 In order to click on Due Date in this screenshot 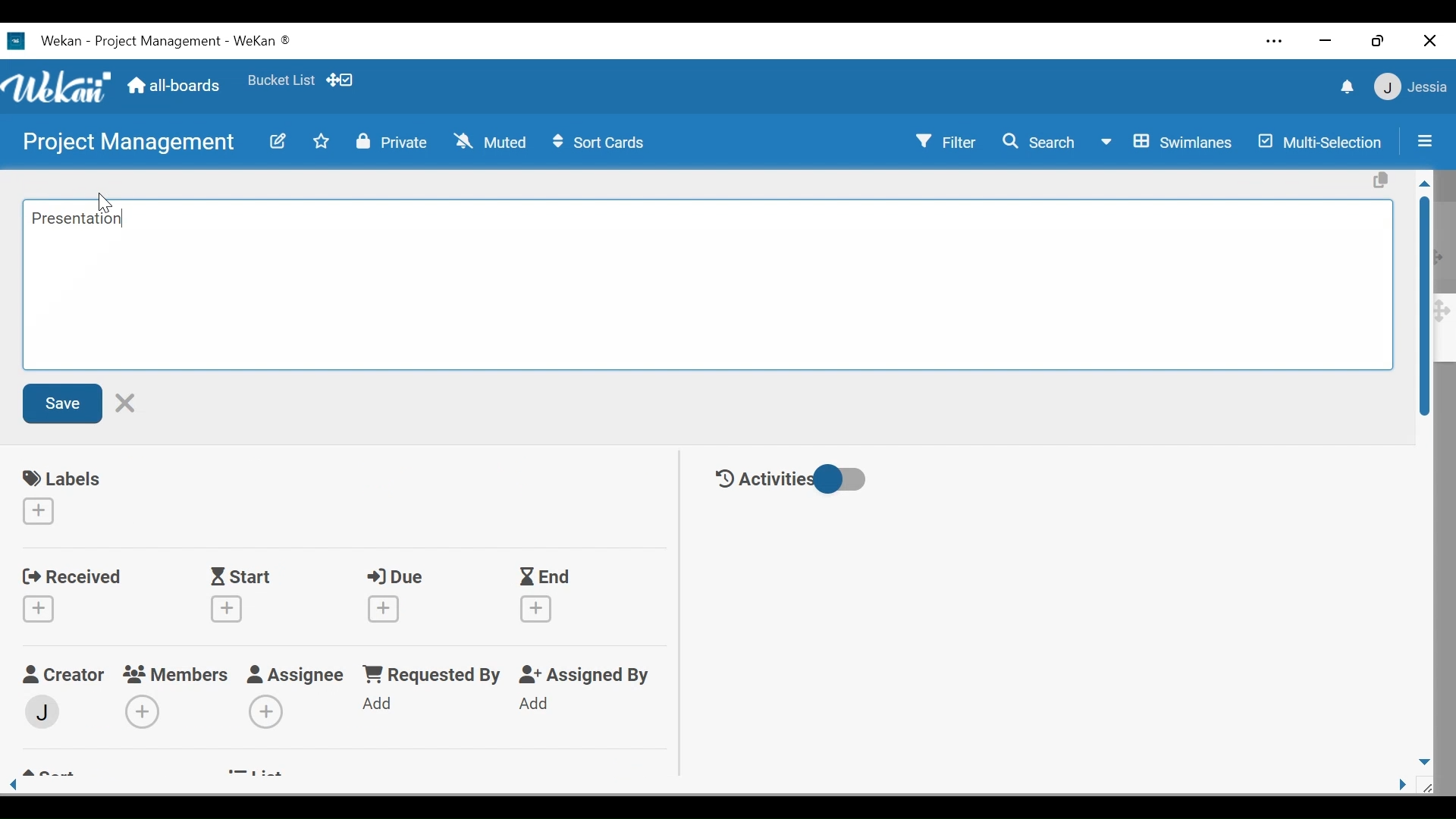, I will do `click(394, 576)`.